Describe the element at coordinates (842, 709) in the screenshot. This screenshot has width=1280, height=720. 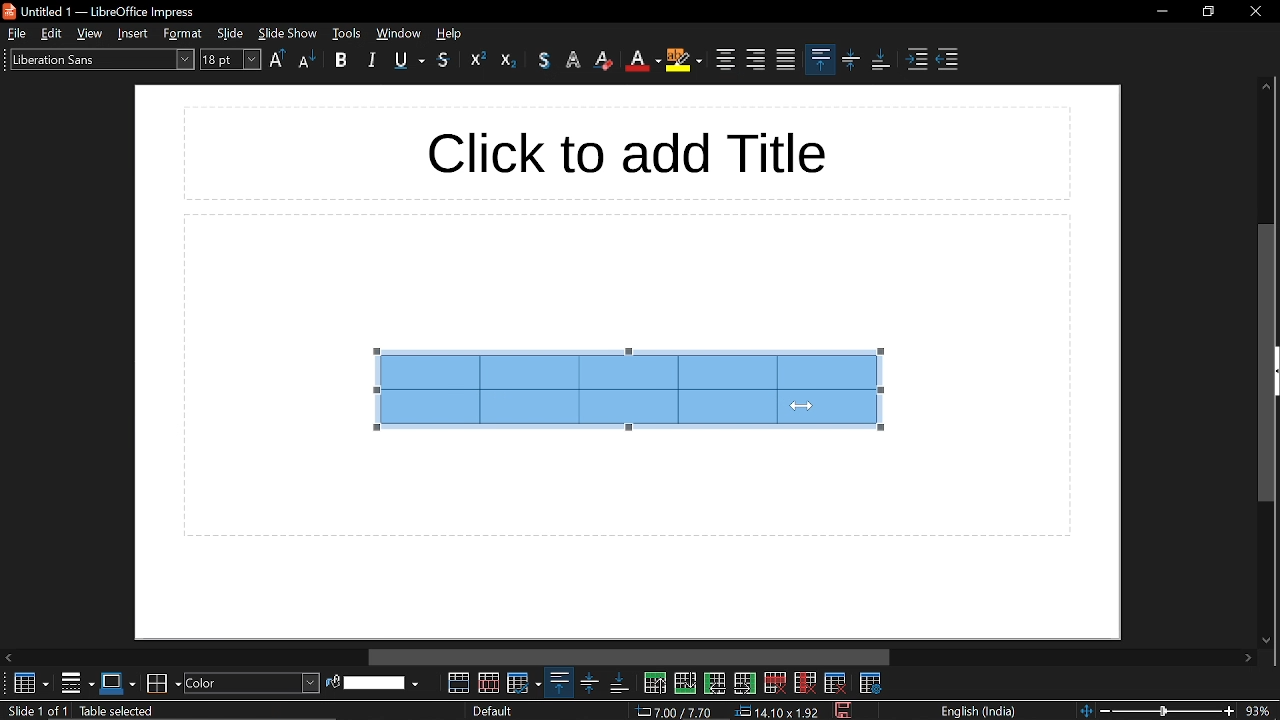
I see `save` at that location.